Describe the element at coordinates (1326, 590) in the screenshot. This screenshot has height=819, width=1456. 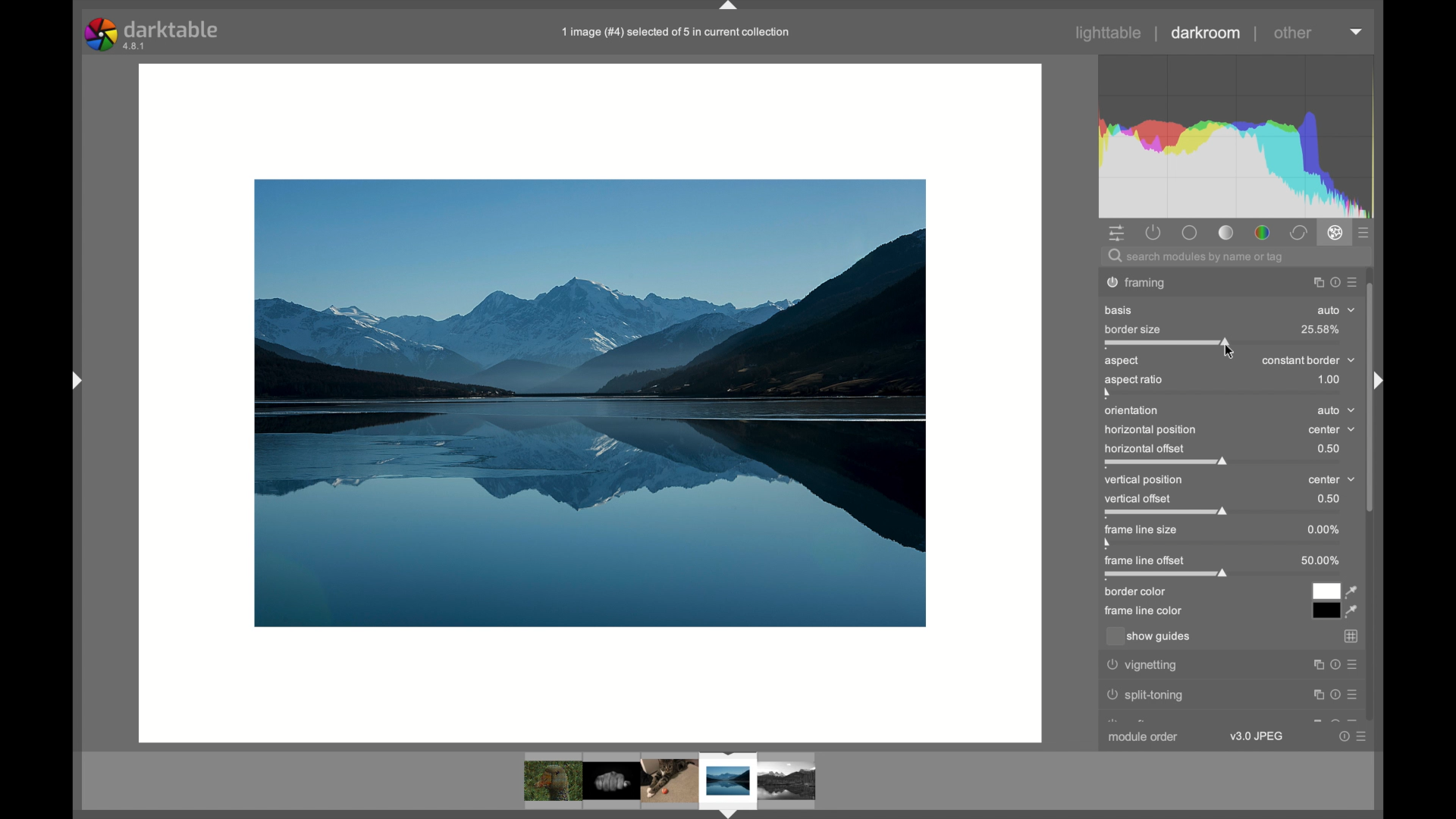
I see `white color` at that location.